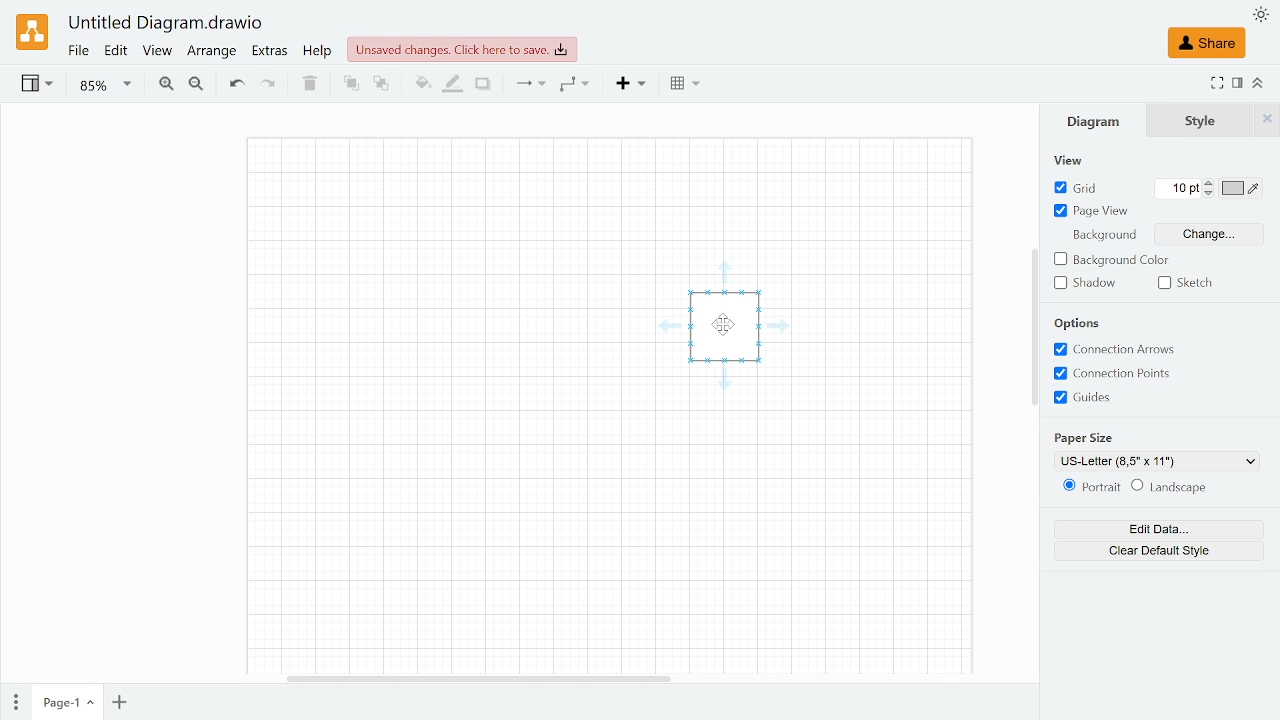  I want to click on Draw.io logo, so click(34, 31).